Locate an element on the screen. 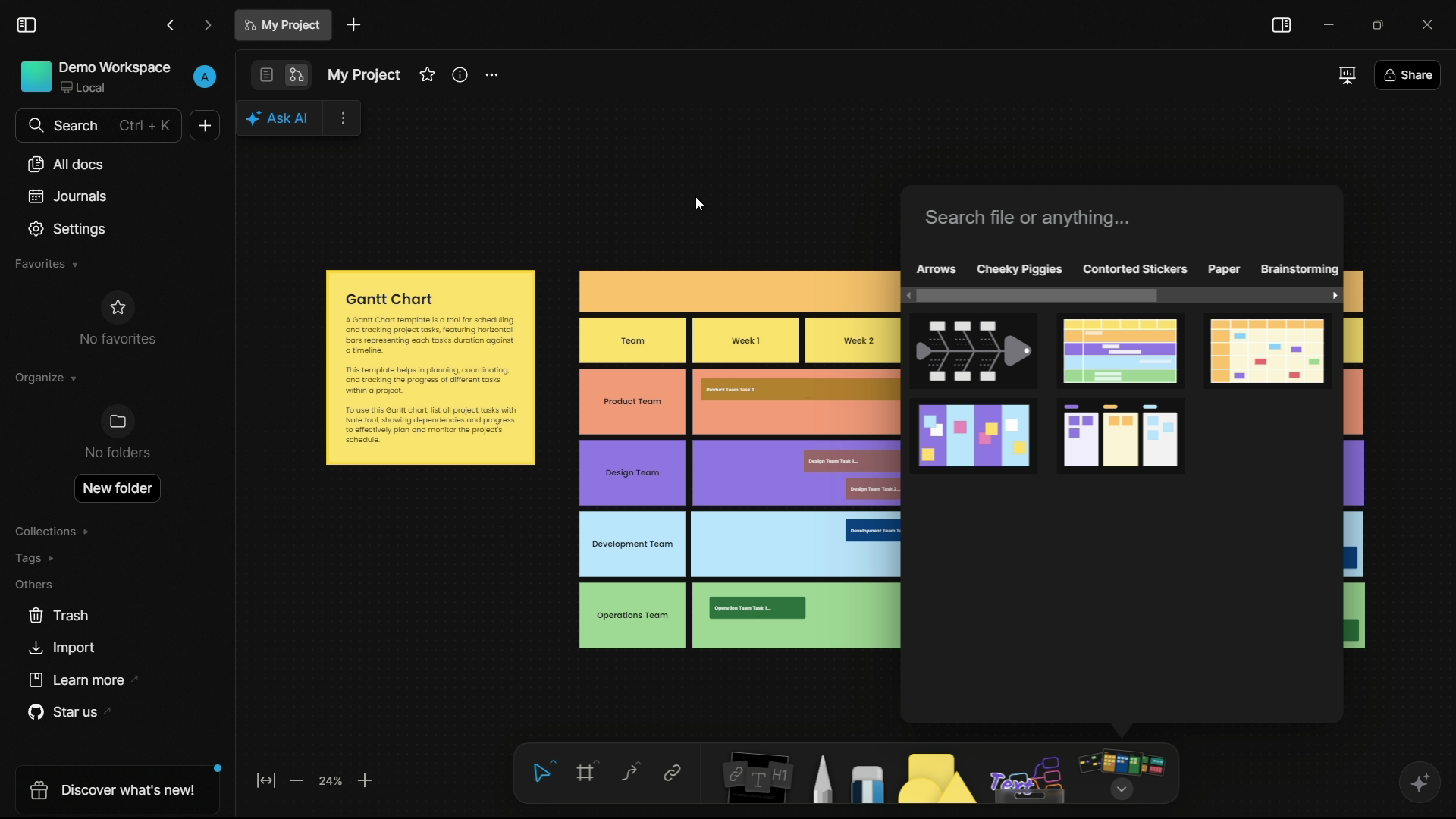 The width and height of the screenshot is (1456, 819). maximize or restore is located at coordinates (1376, 23).